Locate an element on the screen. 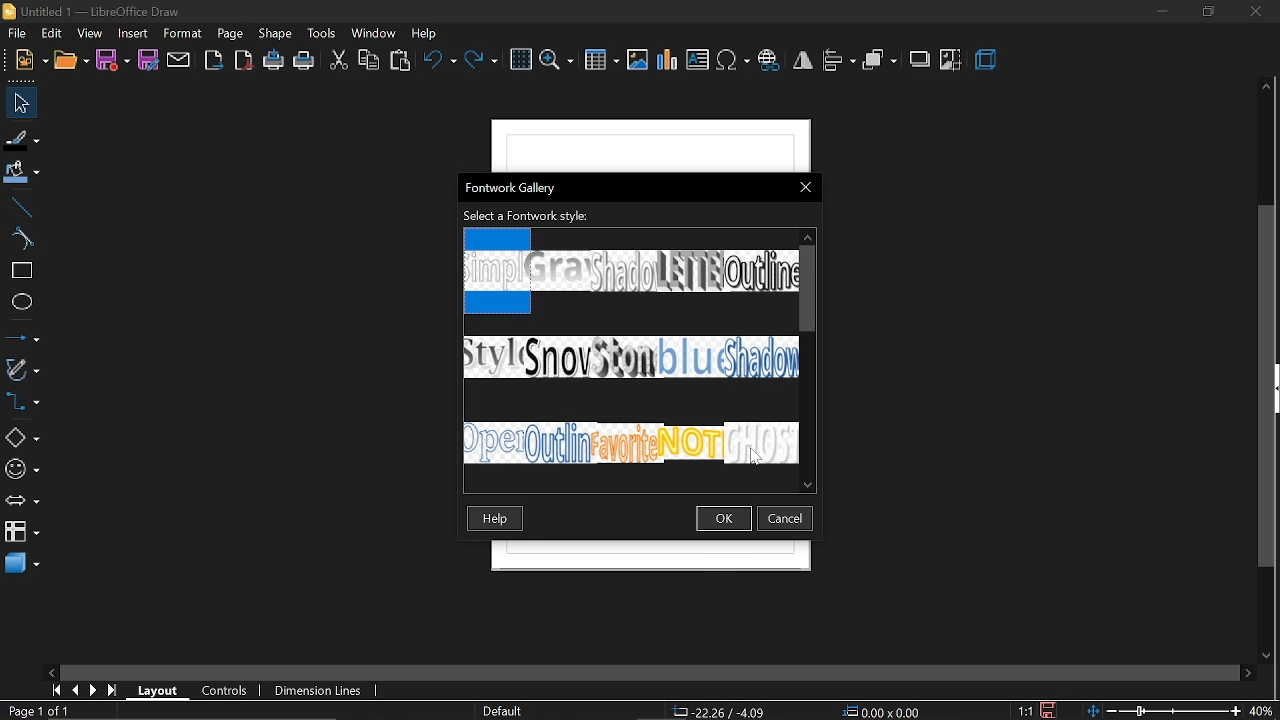 The width and height of the screenshot is (1280, 720). flip is located at coordinates (803, 60).